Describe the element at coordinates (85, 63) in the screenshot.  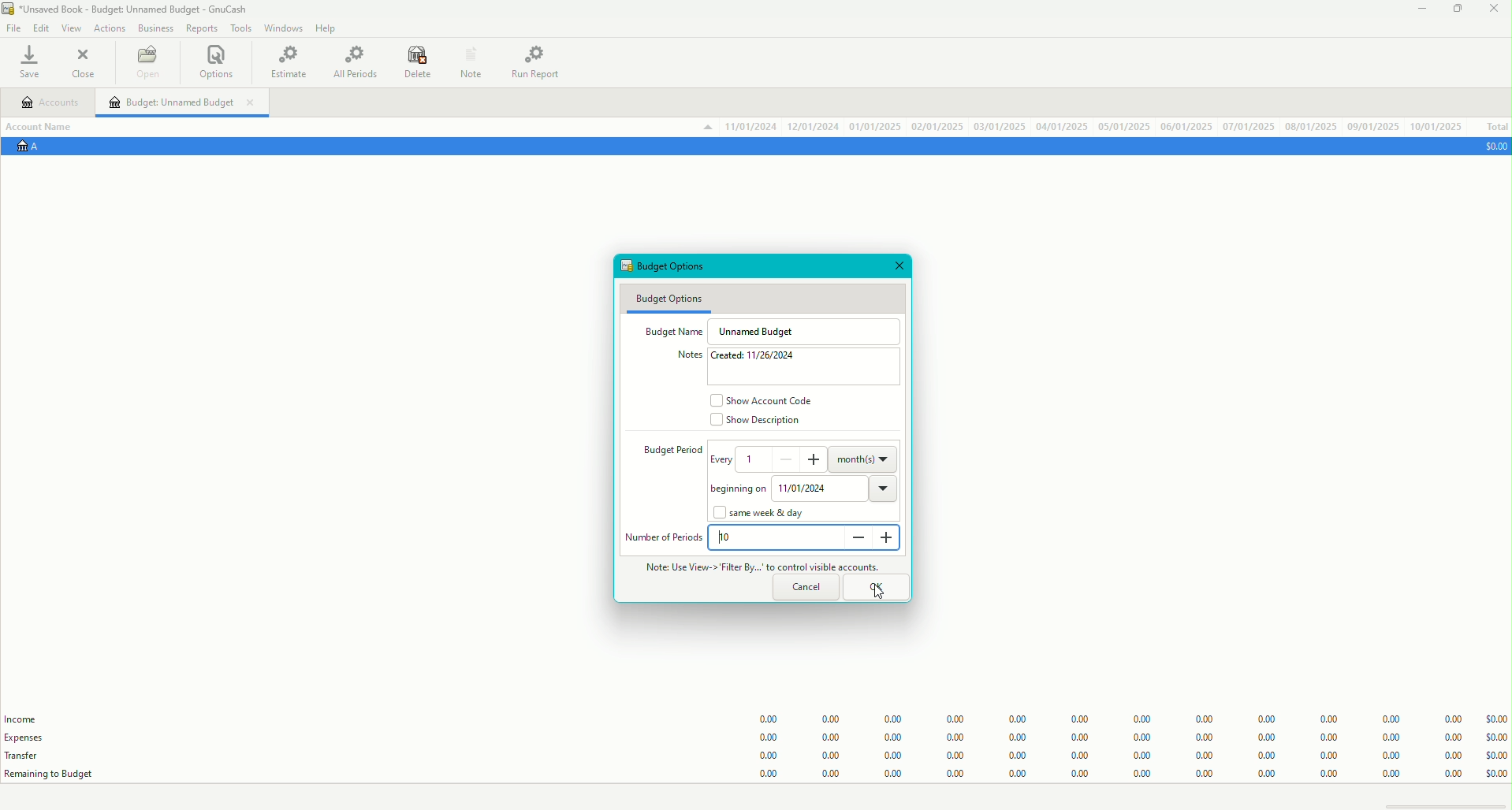
I see `Close` at that location.